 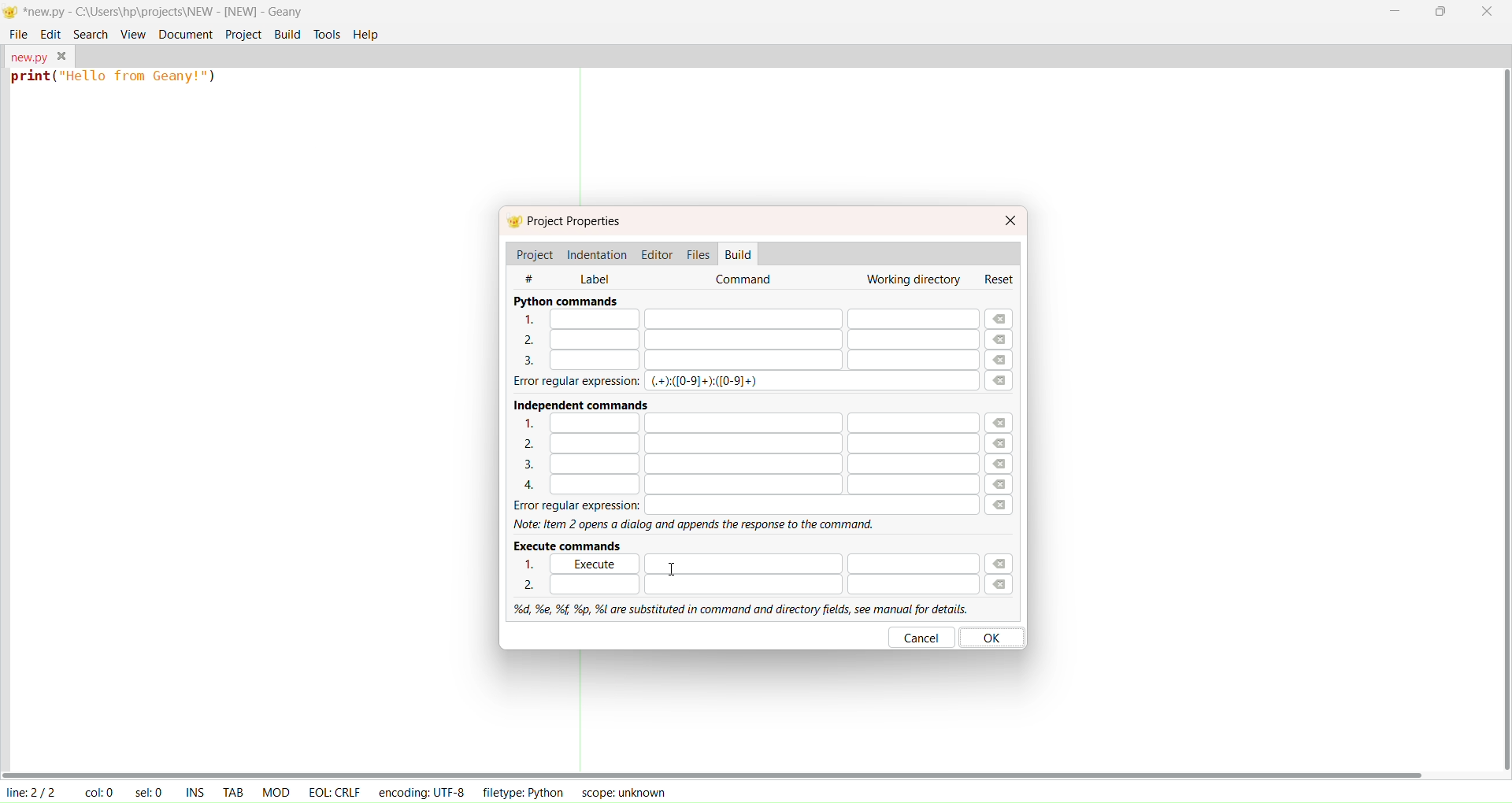 I want to click on close tab, so click(x=62, y=56).